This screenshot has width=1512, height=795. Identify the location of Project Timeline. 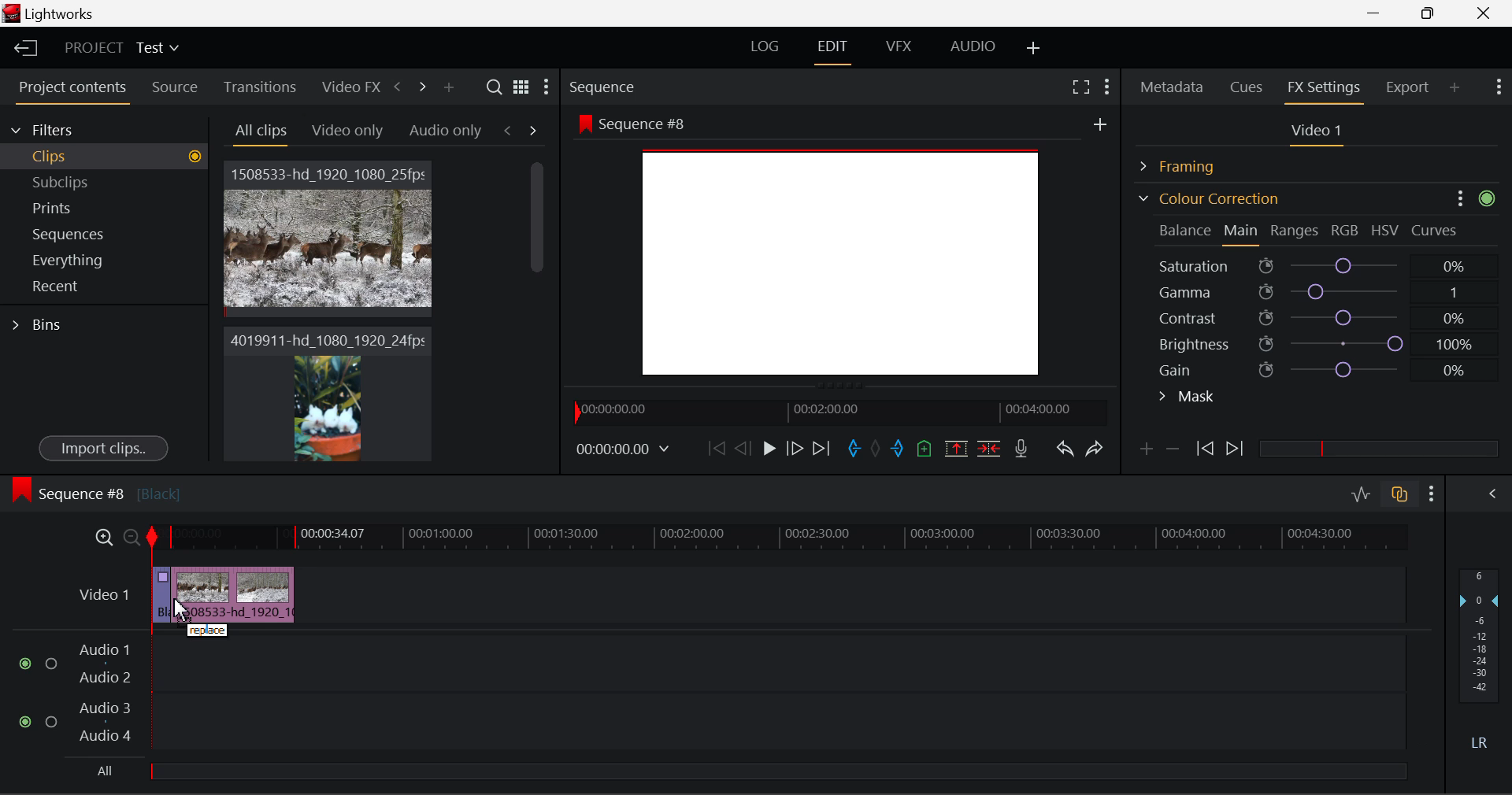
(780, 538).